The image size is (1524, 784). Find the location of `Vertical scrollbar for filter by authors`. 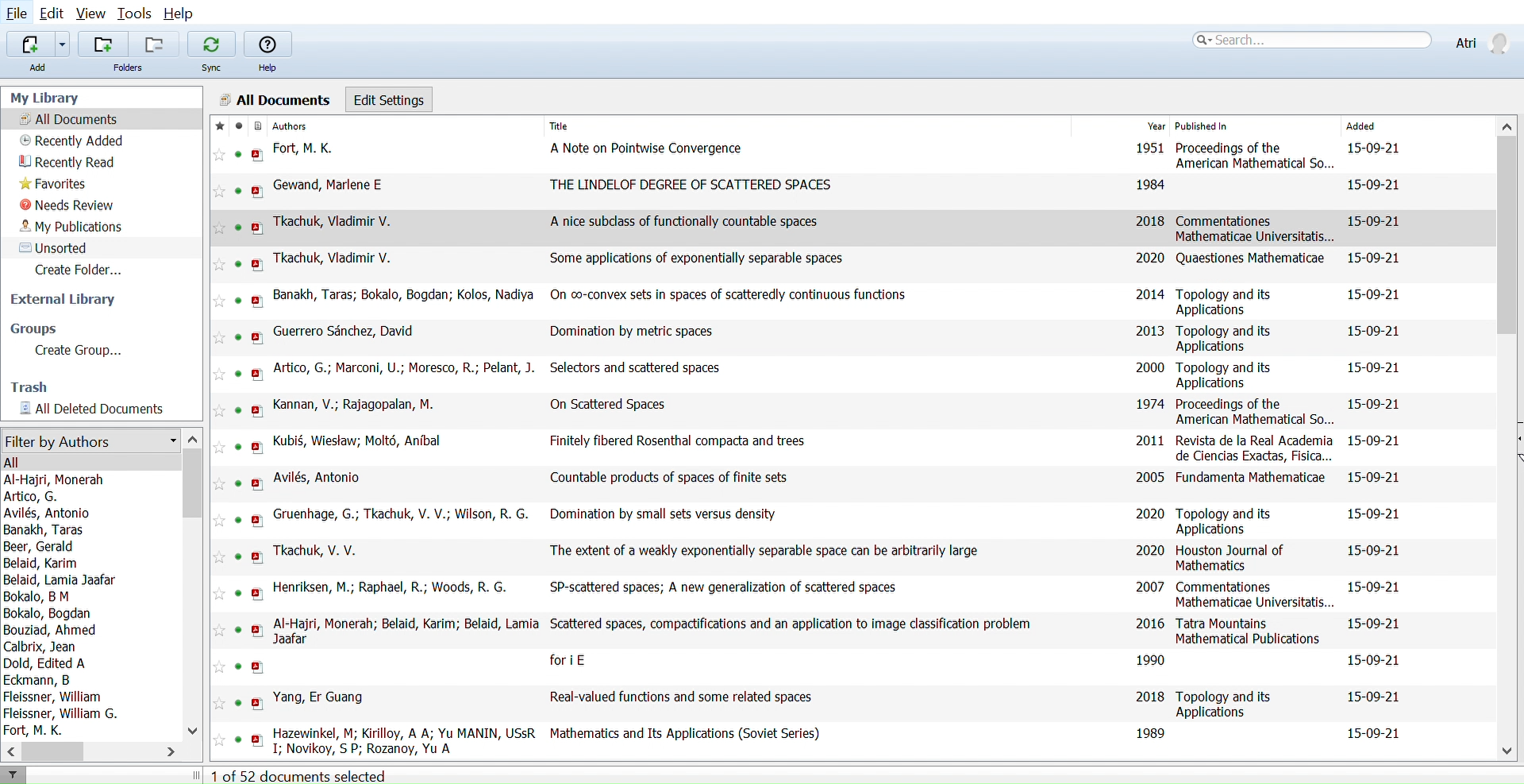

Vertical scrollbar for filter by authors is located at coordinates (194, 485).